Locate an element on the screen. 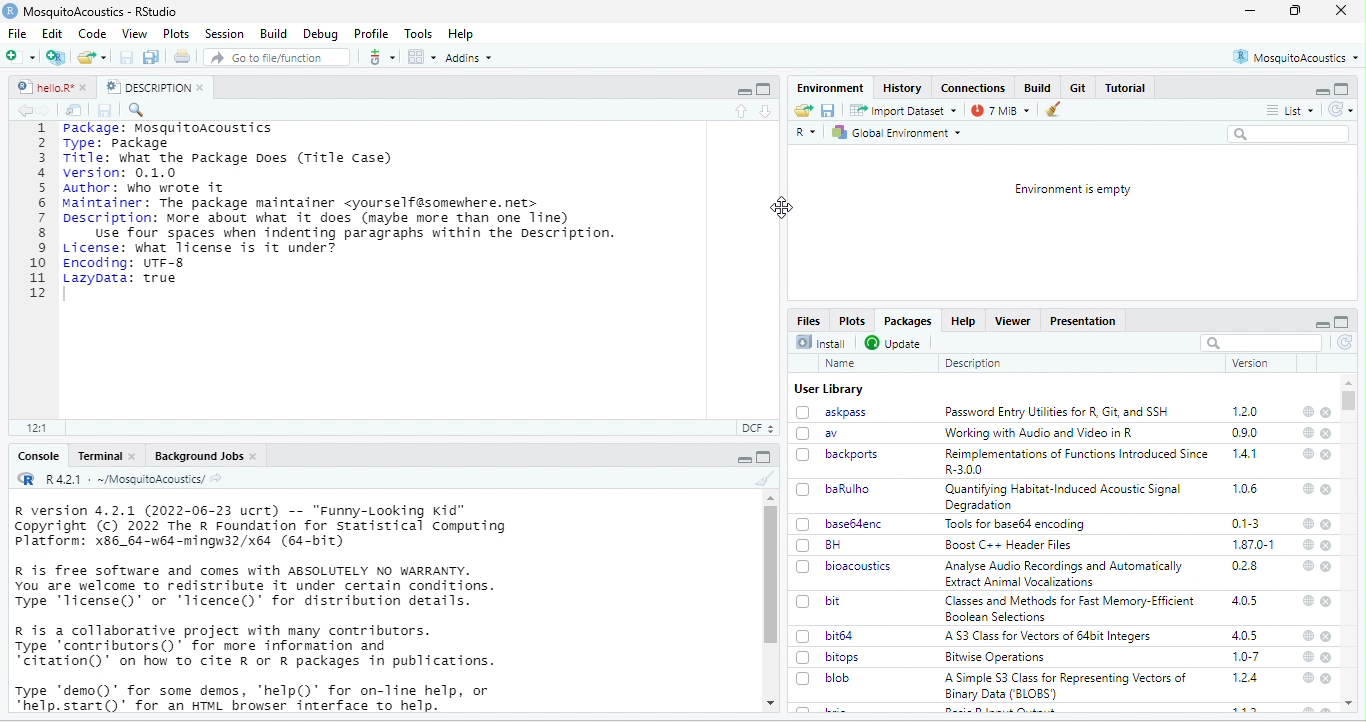 Image resolution: width=1366 pixels, height=722 pixels. DCF is located at coordinates (756, 428).